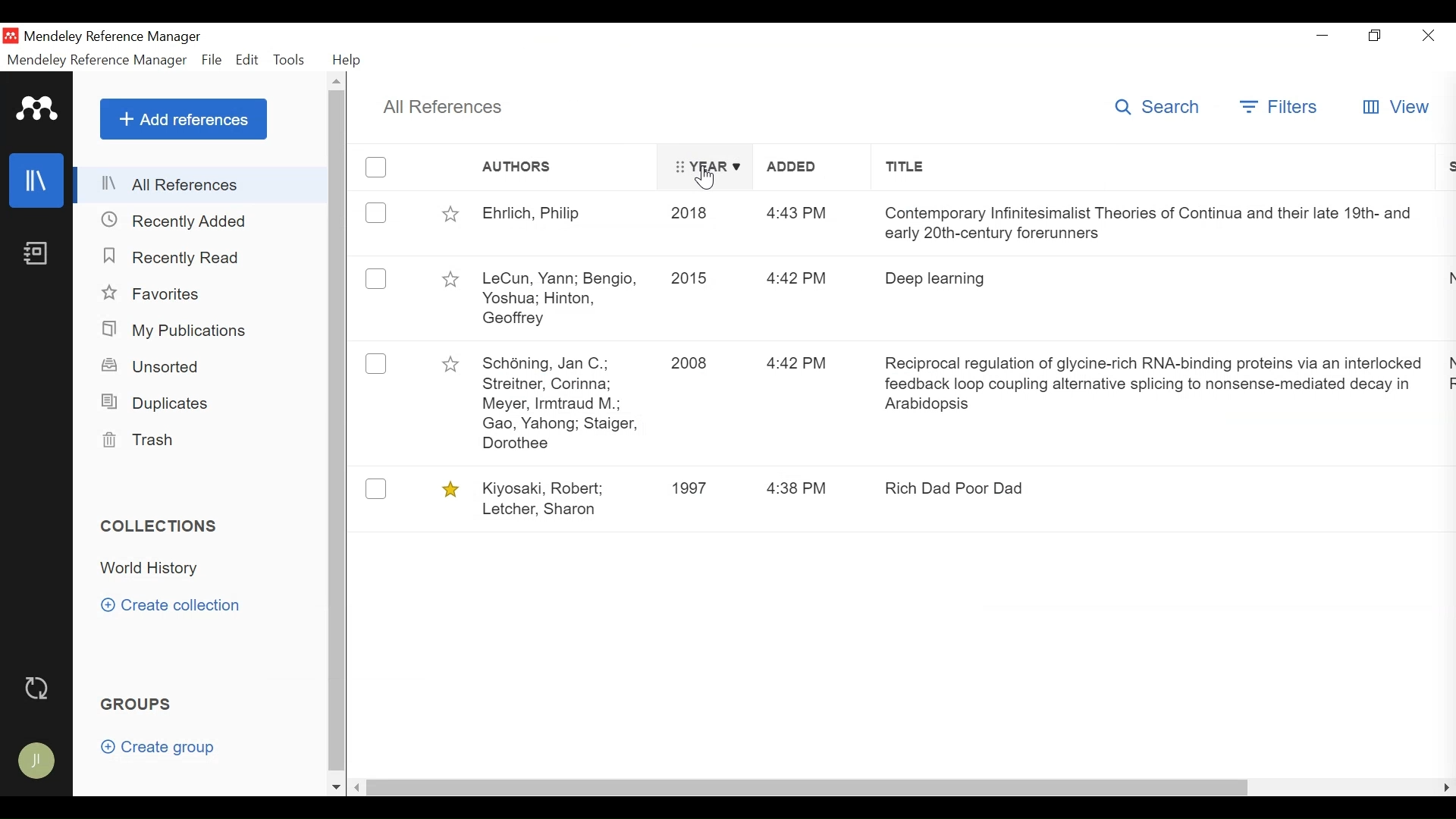  What do you see at coordinates (111, 37) in the screenshot?
I see `Mendeley Reference Manager` at bounding box center [111, 37].